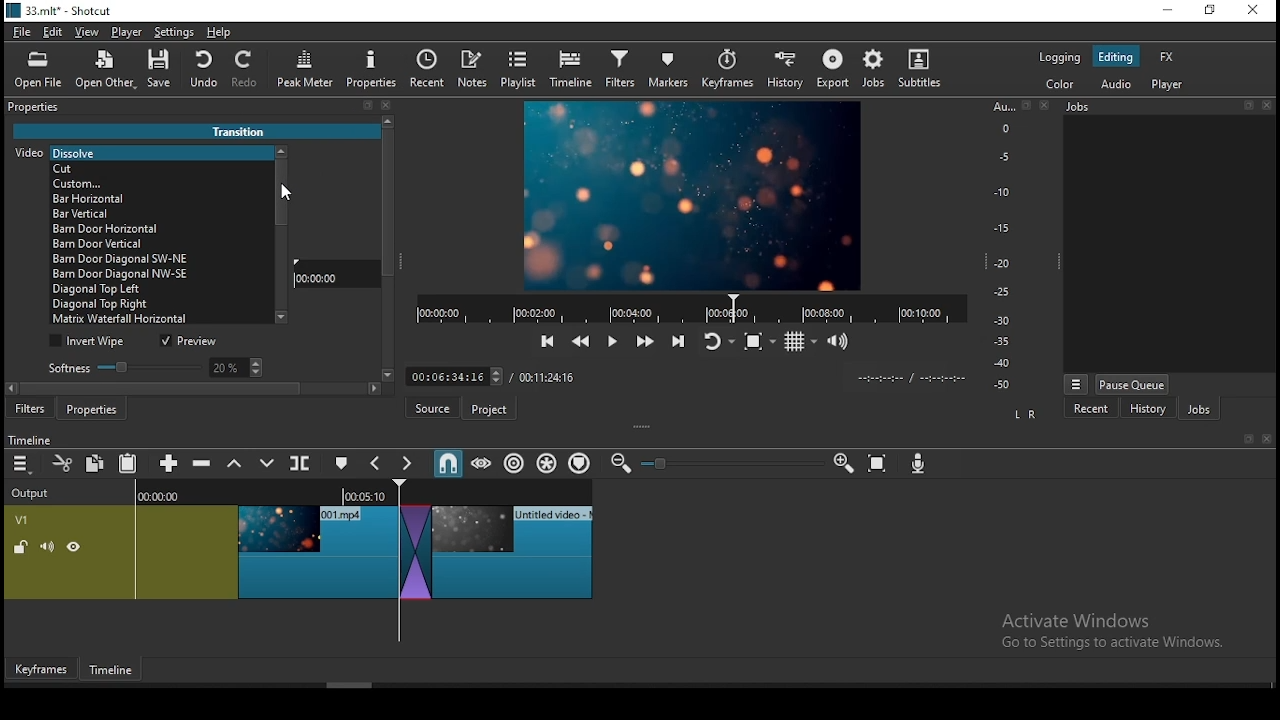  Describe the element at coordinates (163, 72) in the screenshot. I see `save` at that location.